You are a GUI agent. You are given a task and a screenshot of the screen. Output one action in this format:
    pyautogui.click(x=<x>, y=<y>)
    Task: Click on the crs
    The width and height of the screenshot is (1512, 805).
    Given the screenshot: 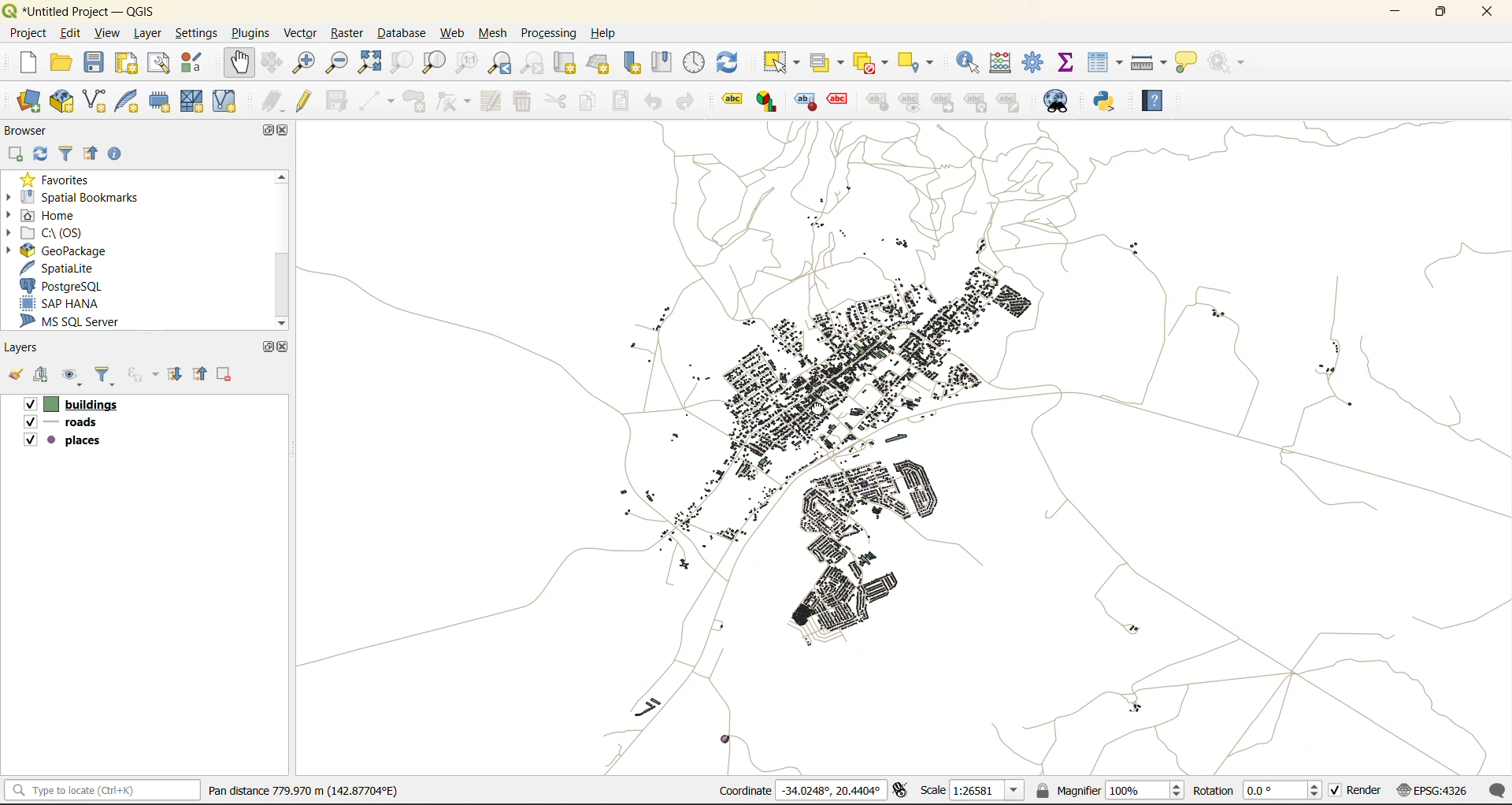 What is the action you would take?
    pyautogui.click(x=1437, y=791)
    